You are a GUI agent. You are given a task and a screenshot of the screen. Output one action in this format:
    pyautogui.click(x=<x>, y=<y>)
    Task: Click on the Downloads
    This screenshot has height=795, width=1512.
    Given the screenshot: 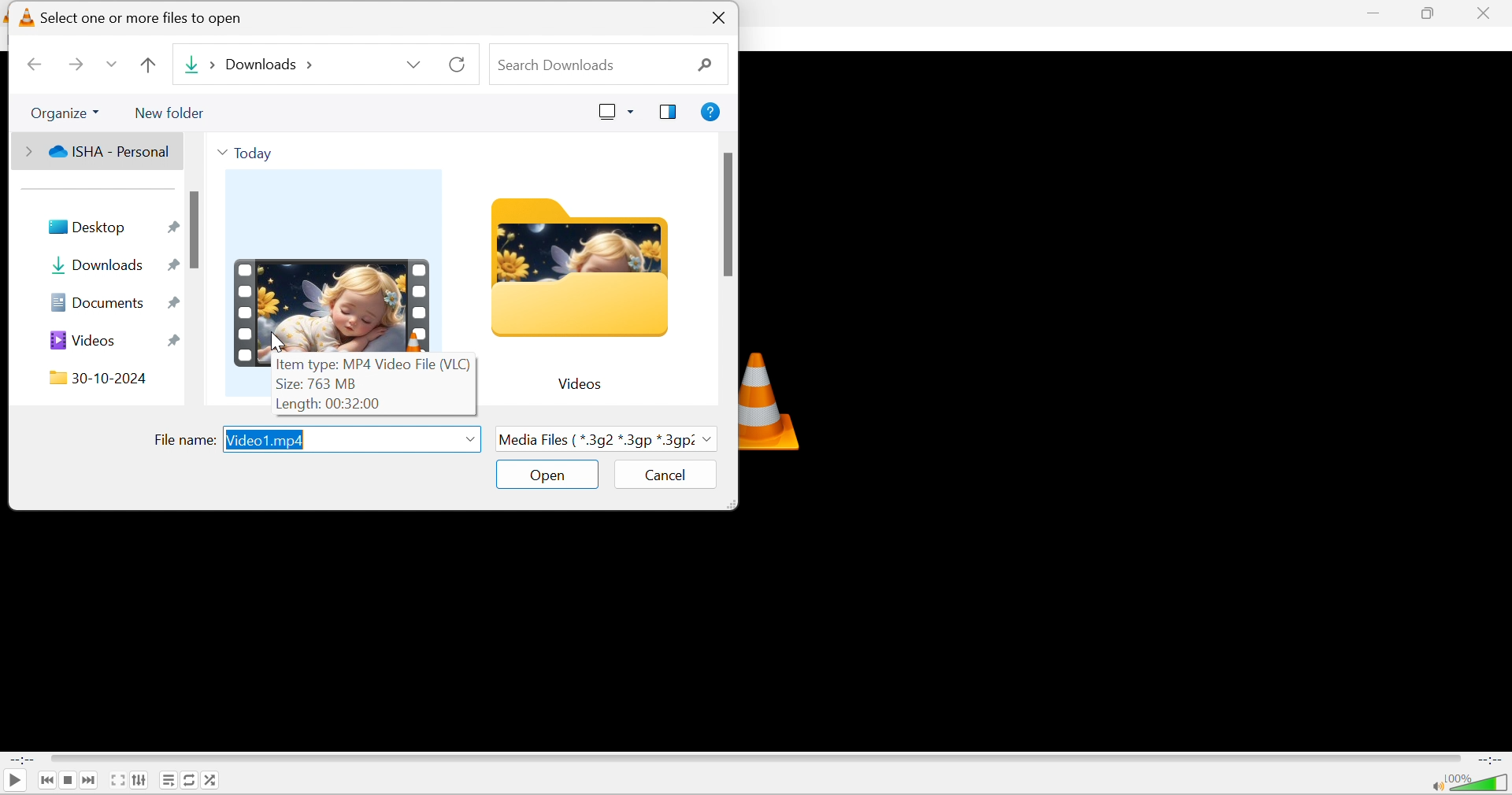 What is the action you would take?
    pyautogui.click(x=96, y=268)
    